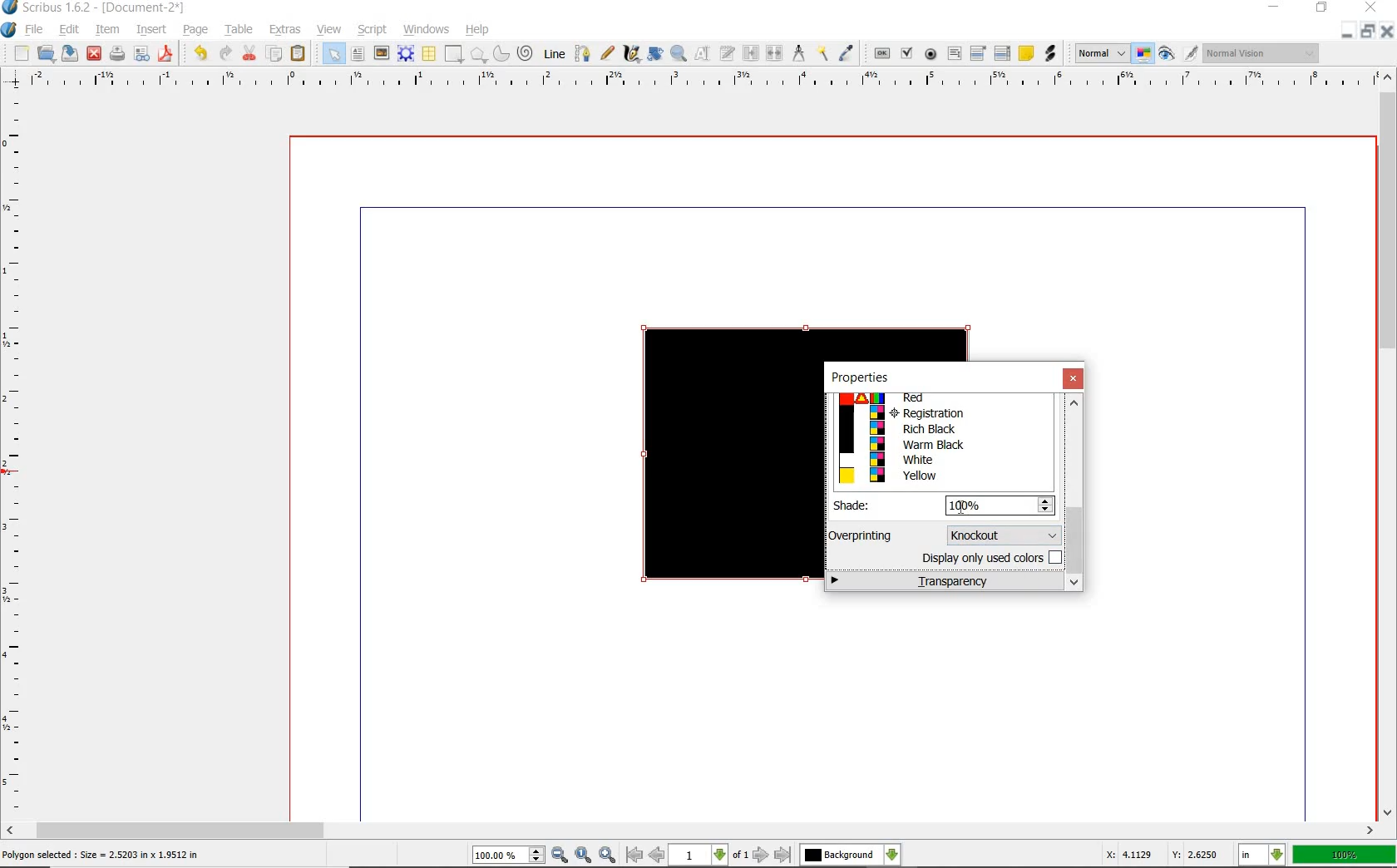 This screenshot has width=1397, height=868. Describe the element at coordinates (656, 53) in the screenshot. I see `rotate item` at that location.